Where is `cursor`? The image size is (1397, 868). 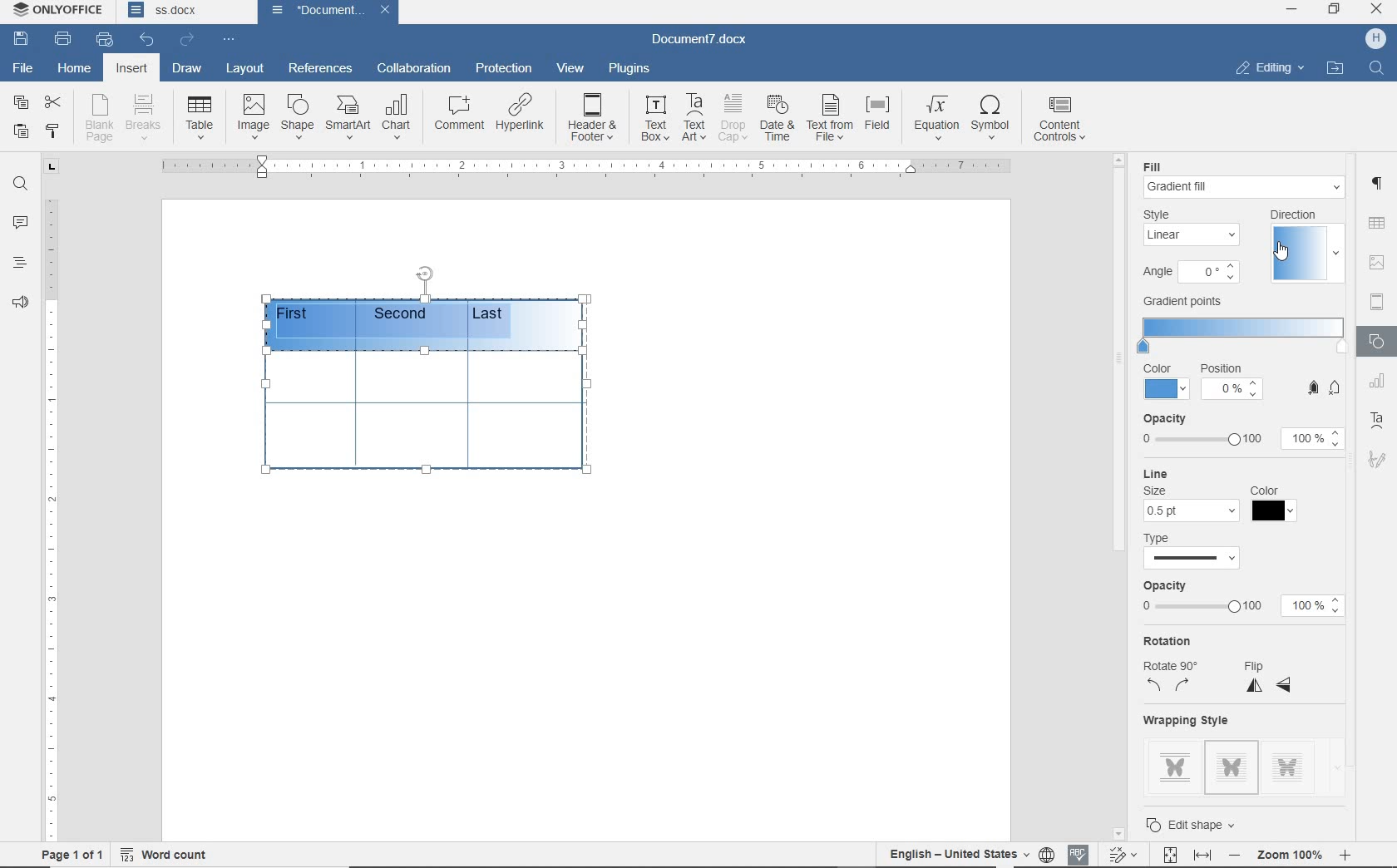
cursor is located at coordinates (1278, 253).